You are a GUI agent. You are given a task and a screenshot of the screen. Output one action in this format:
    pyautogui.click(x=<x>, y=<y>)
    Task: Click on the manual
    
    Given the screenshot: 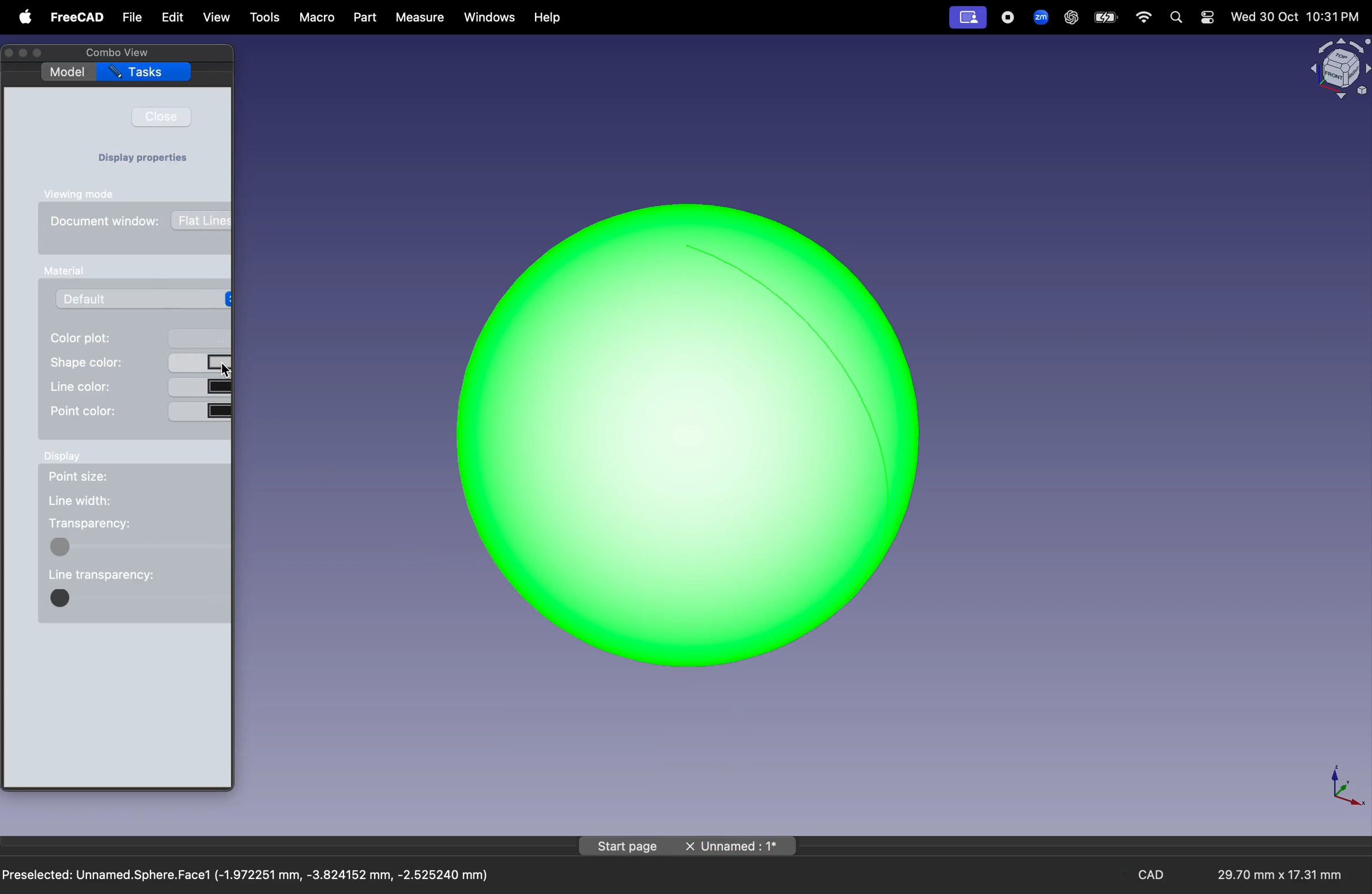 What is the action you would take?
    pyautogui.click(x=66, y=271)
    